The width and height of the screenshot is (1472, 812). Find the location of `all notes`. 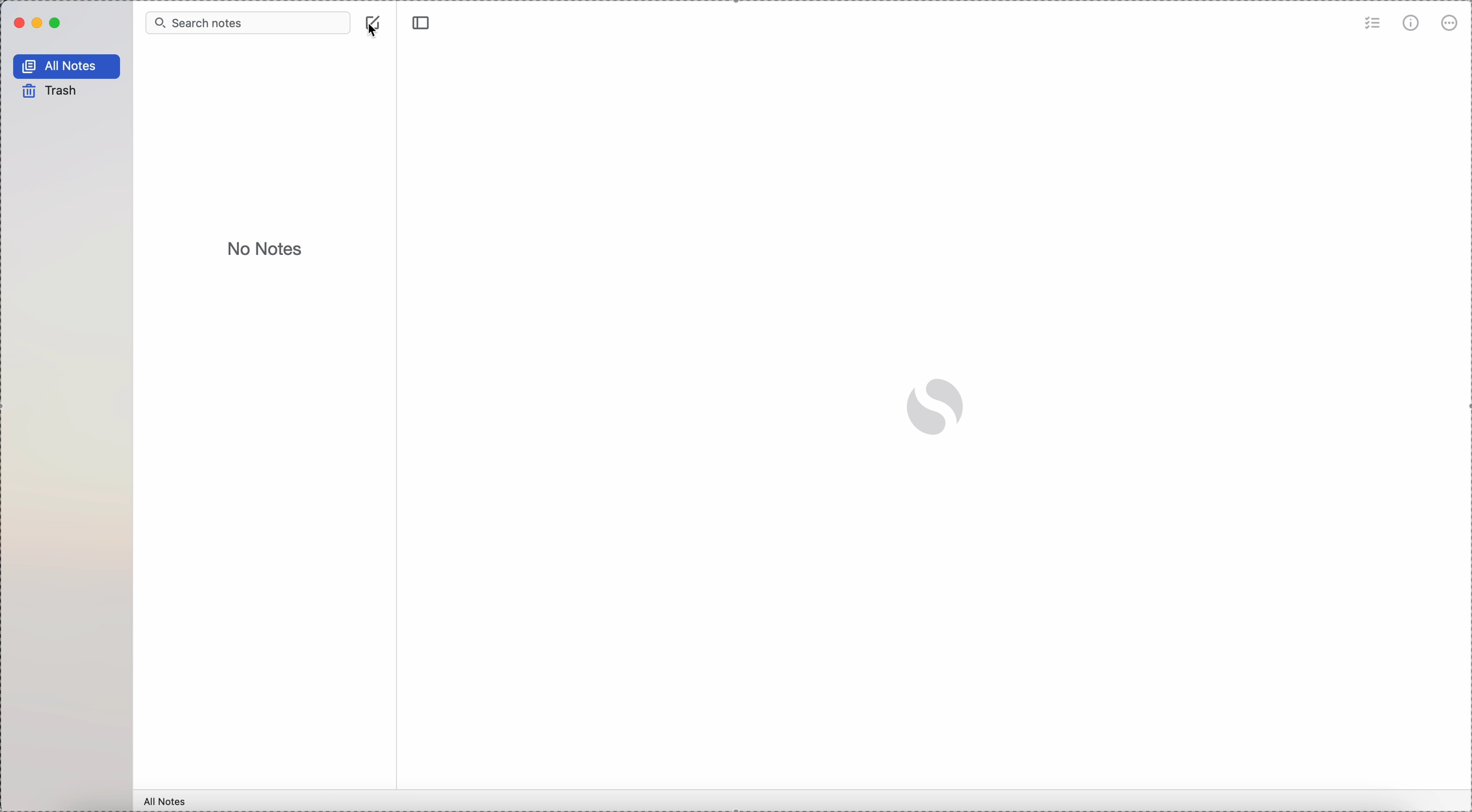

all notes is located at coordinates (166, 800).